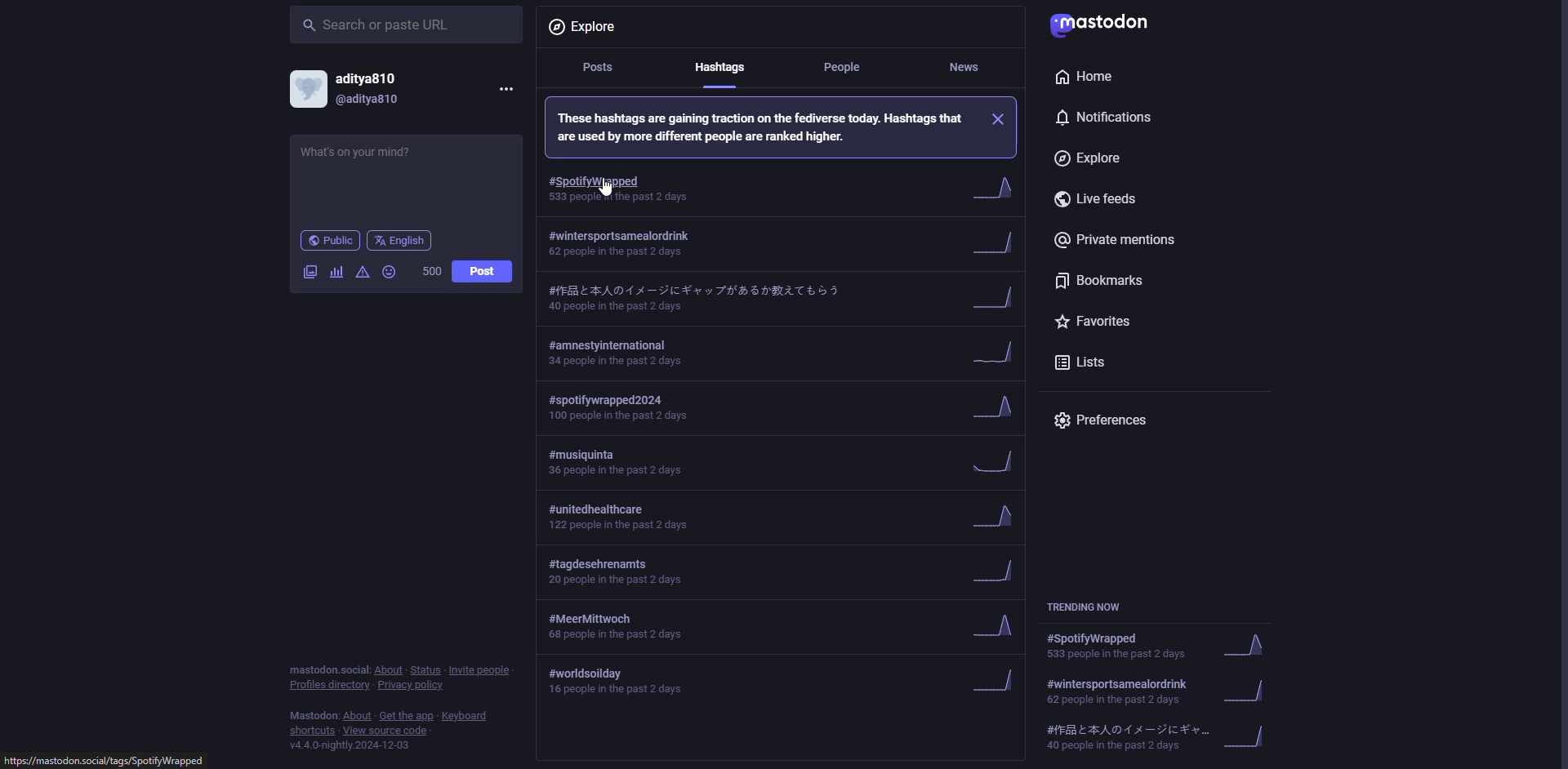 This screenshot has width=1568, height=769. I want to click on public, so click(329, 240).